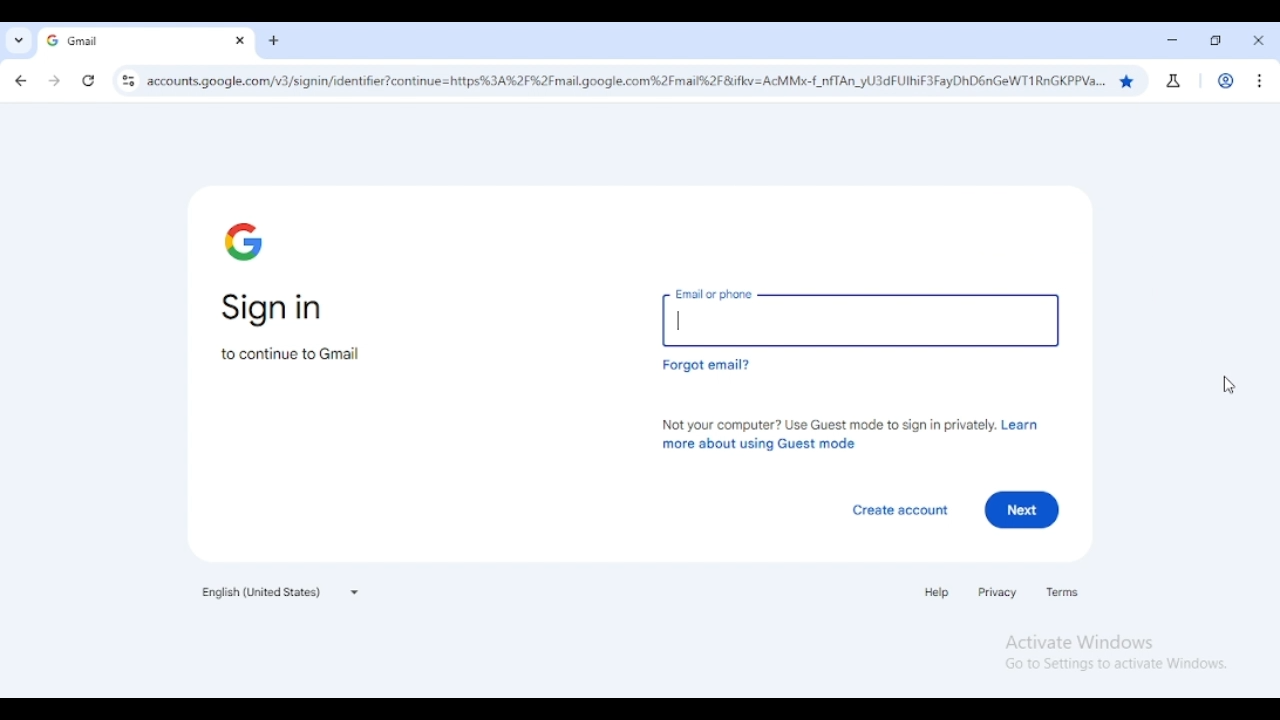 The image size is (1280, 720). What do you see at coordinates (1216, 41) in the screenshot?
I see `maximize` at bounding box center [1216, 41].